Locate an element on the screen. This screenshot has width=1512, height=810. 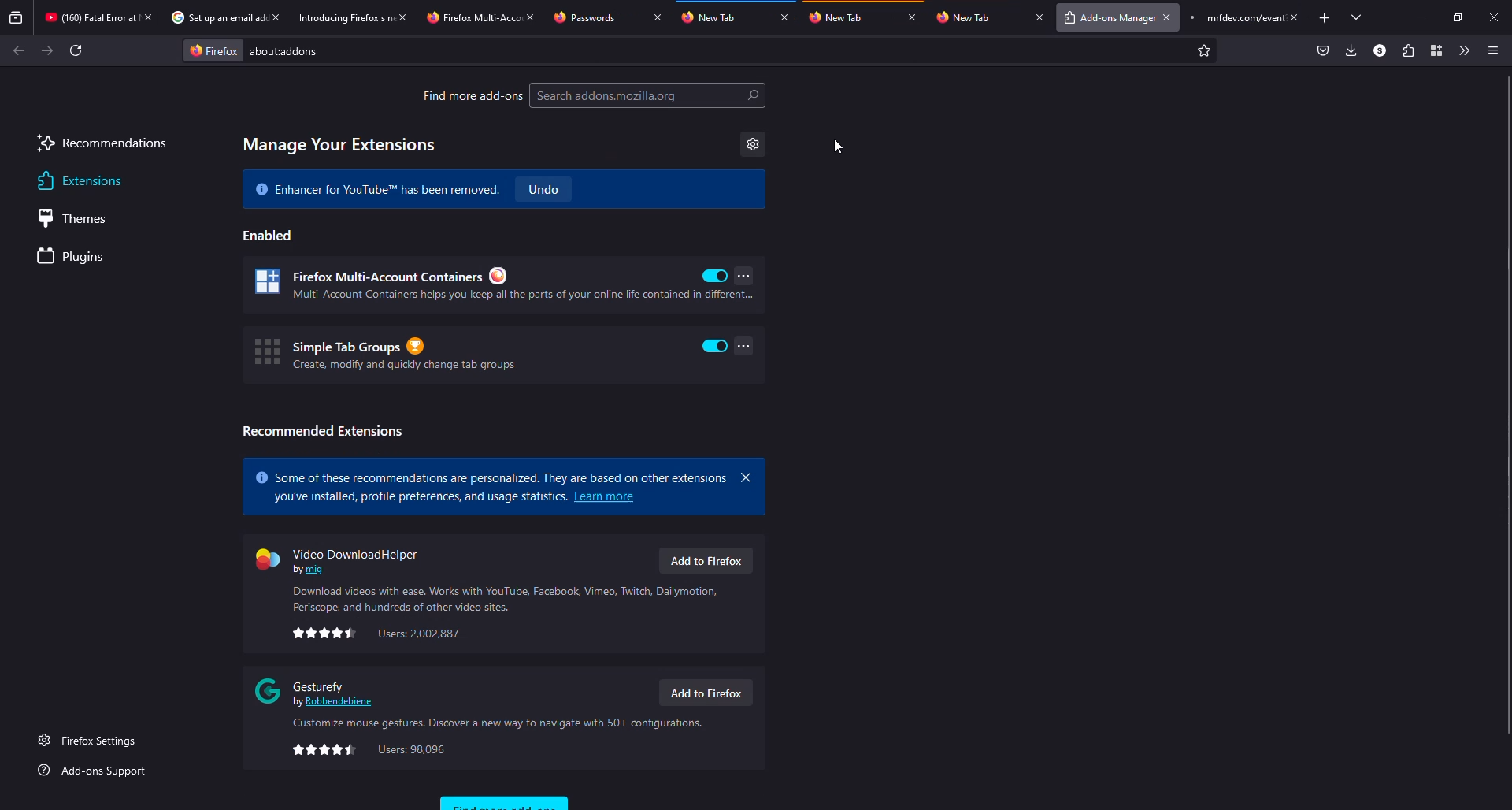
enabled is located at coordinates (715, 345).